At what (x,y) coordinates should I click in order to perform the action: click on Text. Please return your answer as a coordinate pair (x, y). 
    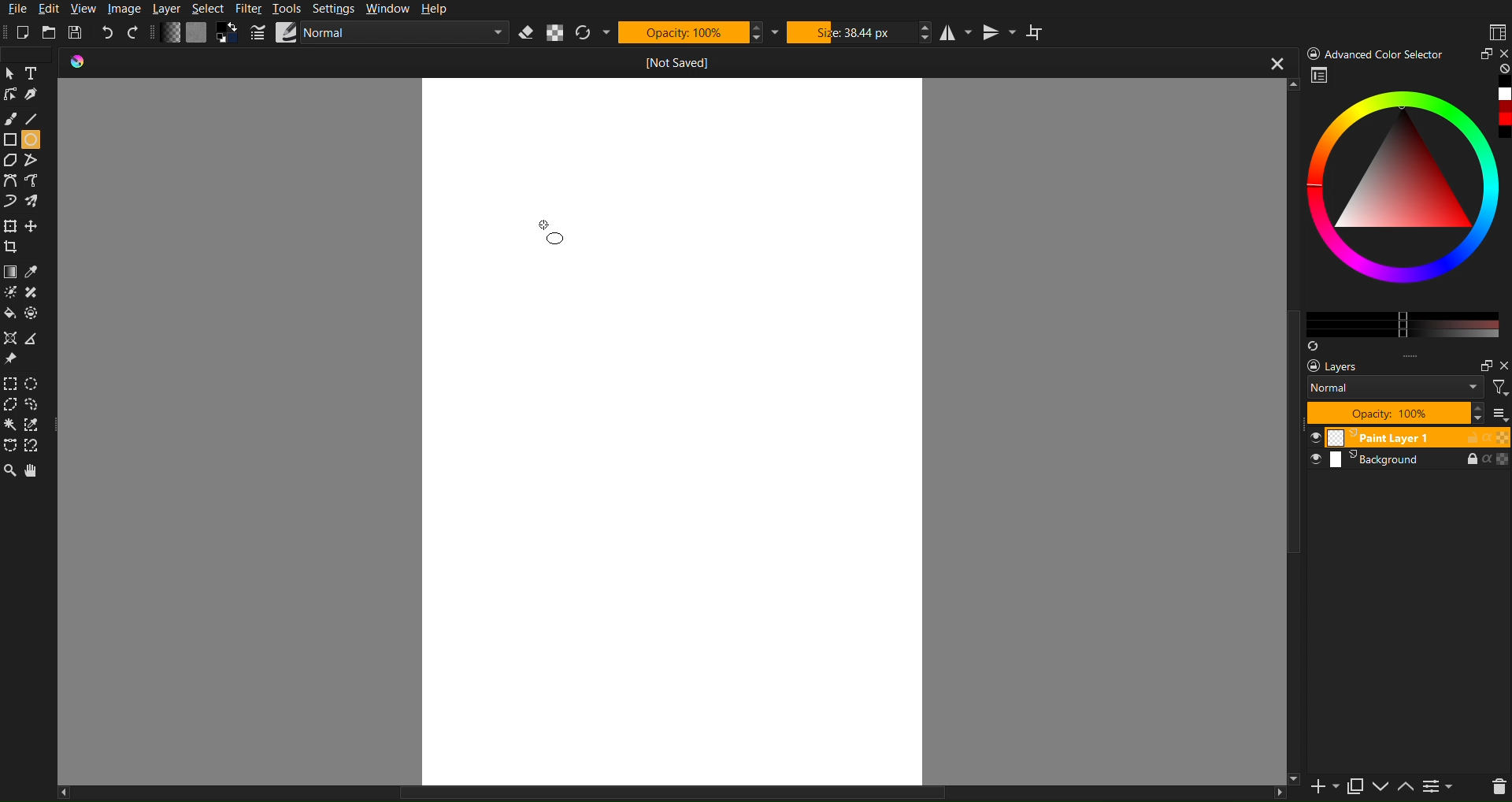
    Looking at the image, I should click on (38, 74).